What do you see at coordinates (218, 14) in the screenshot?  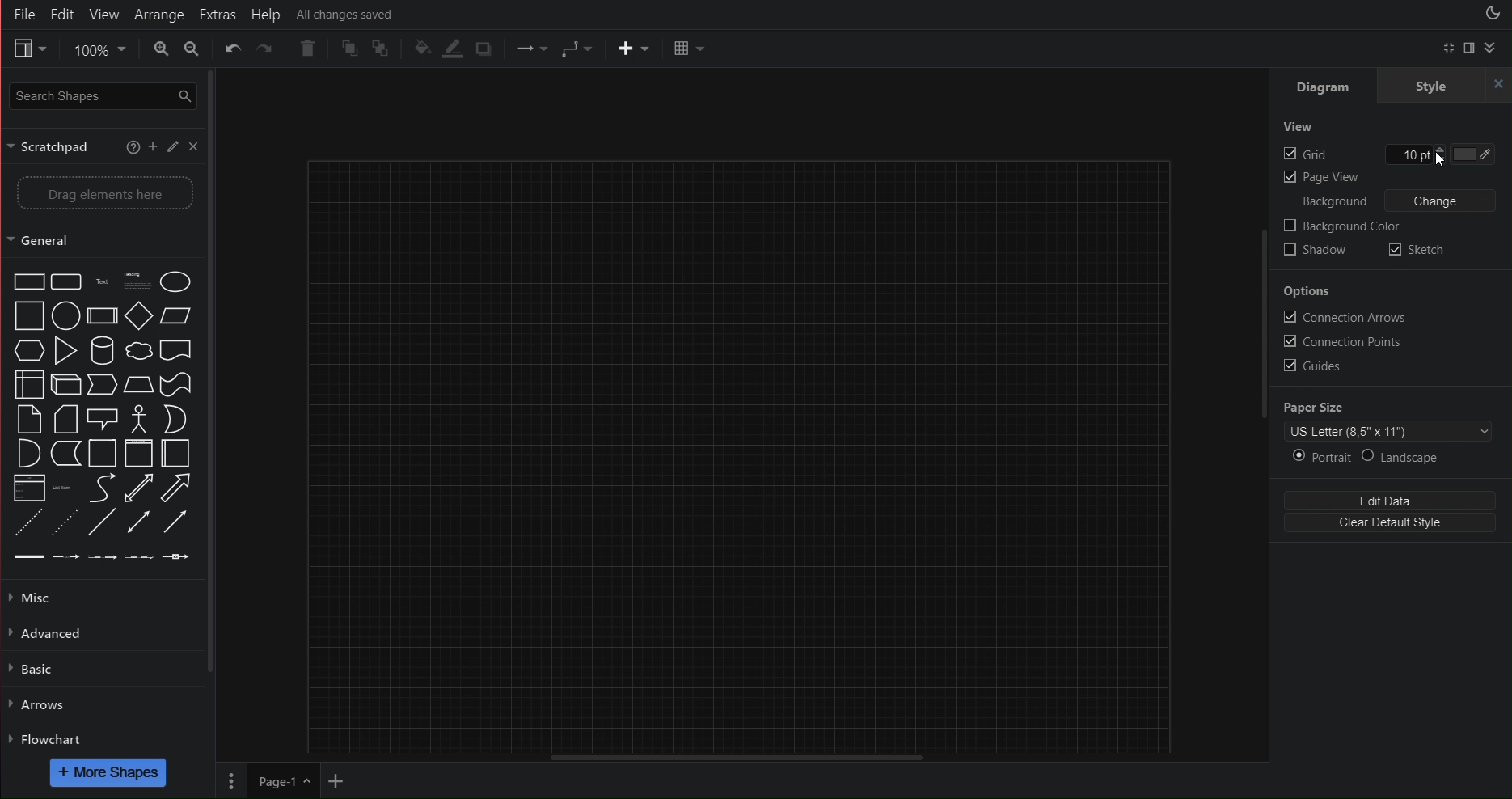 I see `Extras` at bounding box center [218, 14].